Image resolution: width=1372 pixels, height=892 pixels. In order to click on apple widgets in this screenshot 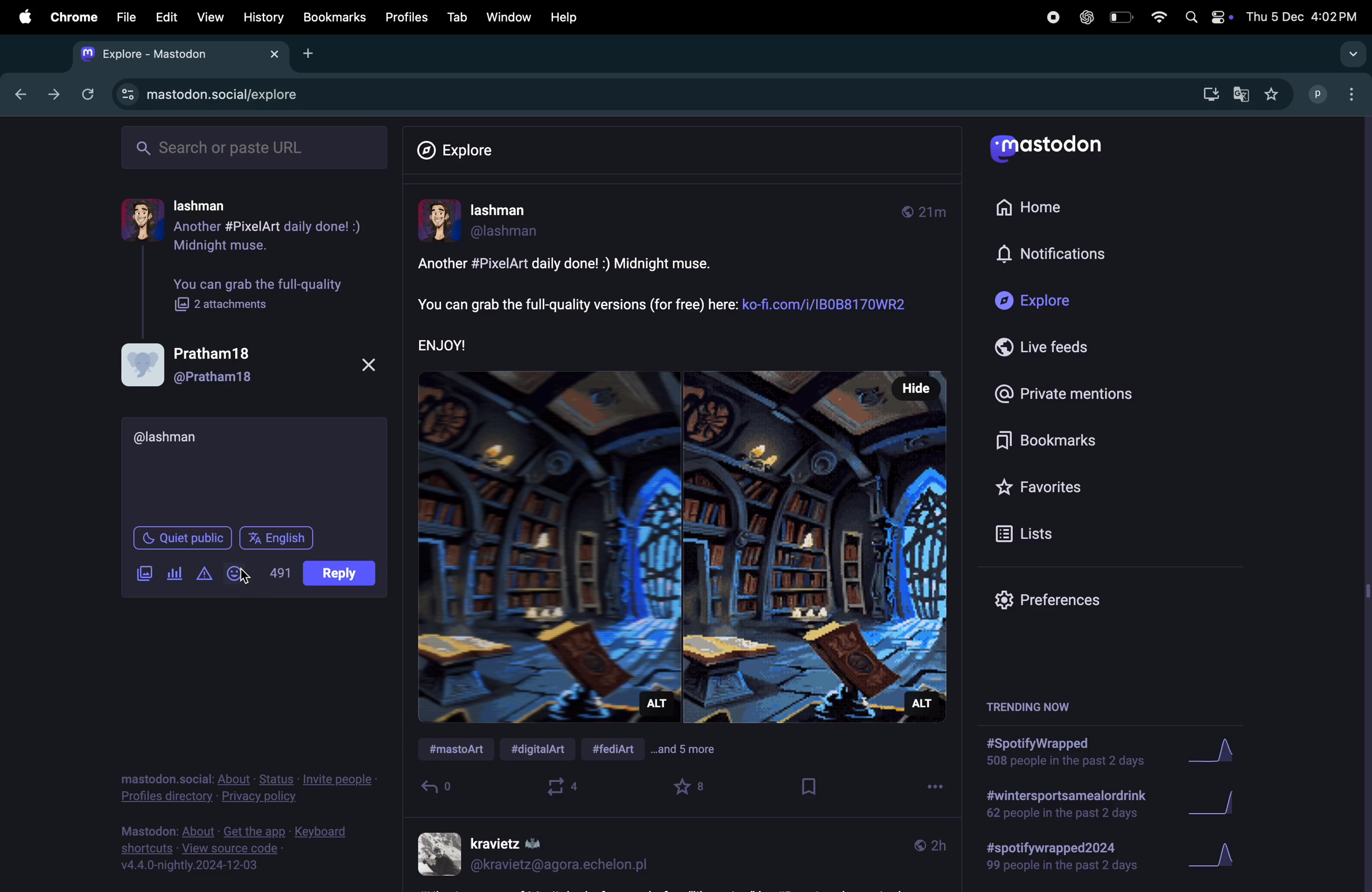, I will do `click(1207, 17)`.